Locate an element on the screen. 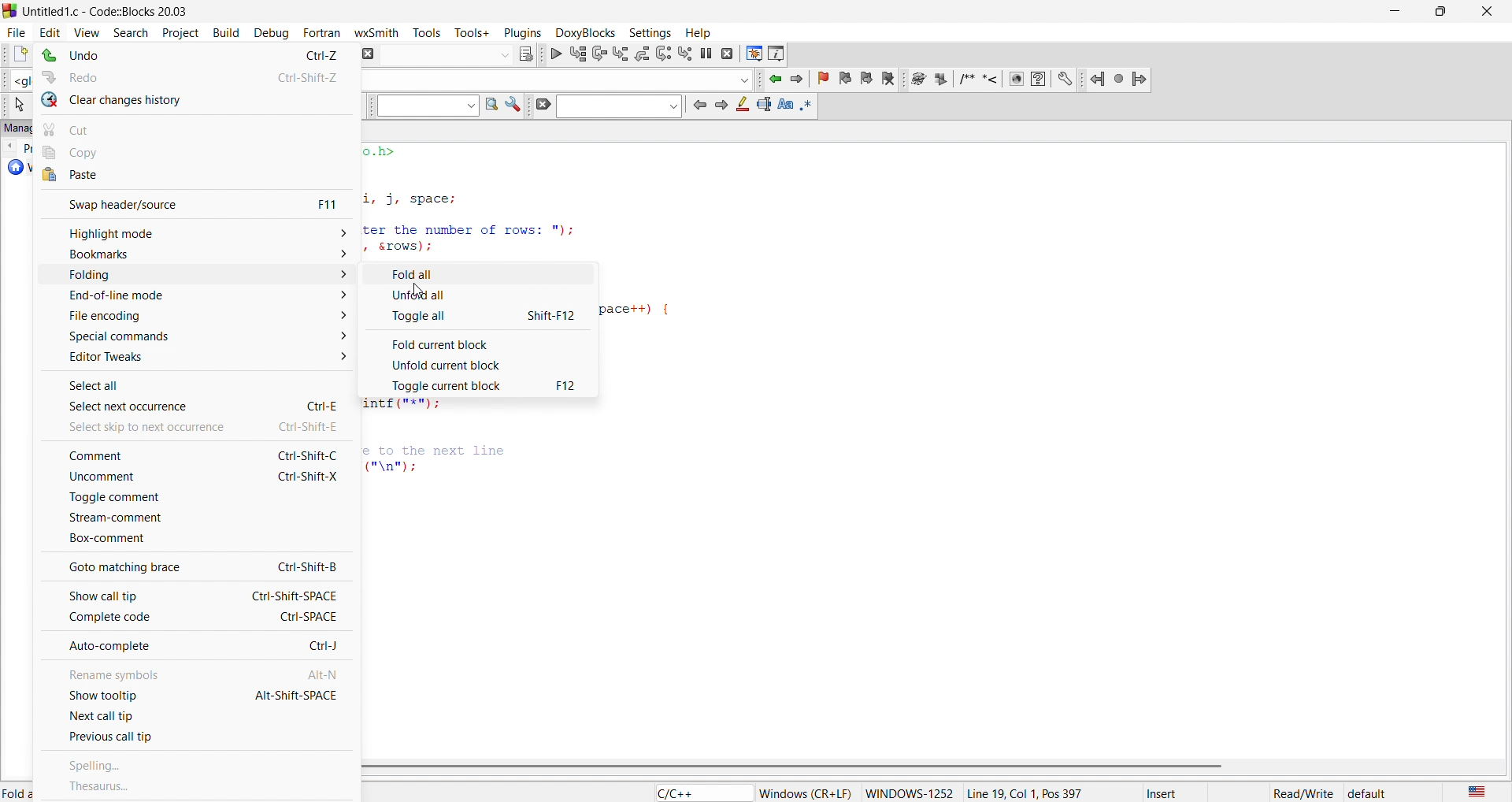 Image resolution: width=1512 pixels, height=802 pixels. unfold all is located at coordinates (479, 295).